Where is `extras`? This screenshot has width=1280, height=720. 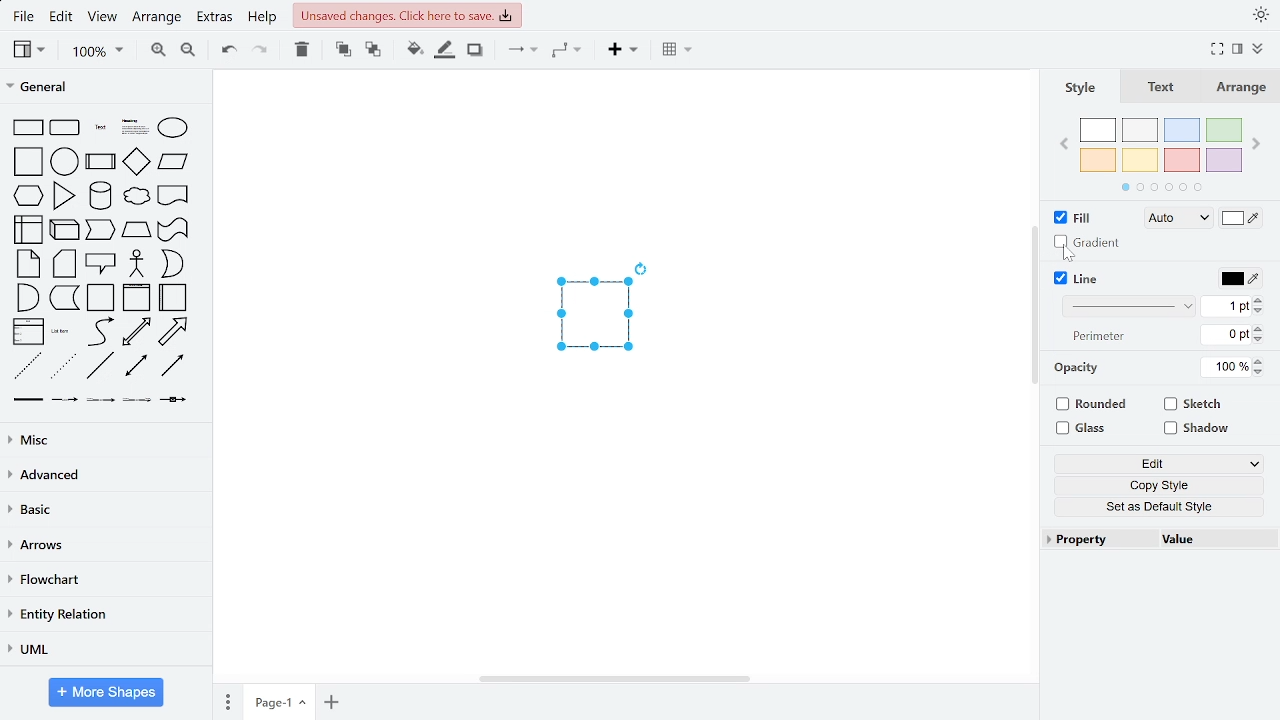 extras is located at coordinates (215, 17).